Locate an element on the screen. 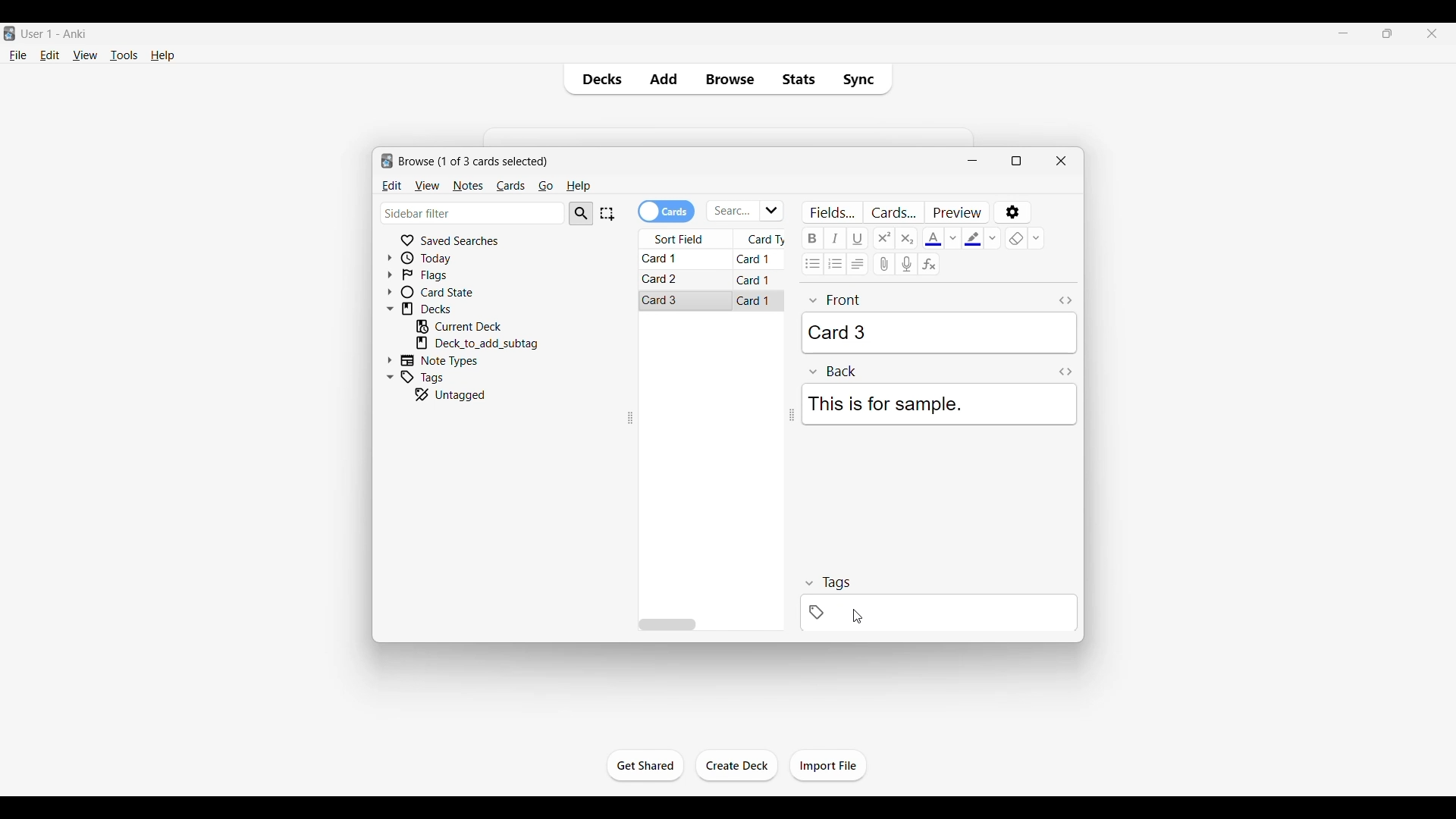 The image size is (1456, 819). Click to expand Note Types is located at coordinates (390, 360).